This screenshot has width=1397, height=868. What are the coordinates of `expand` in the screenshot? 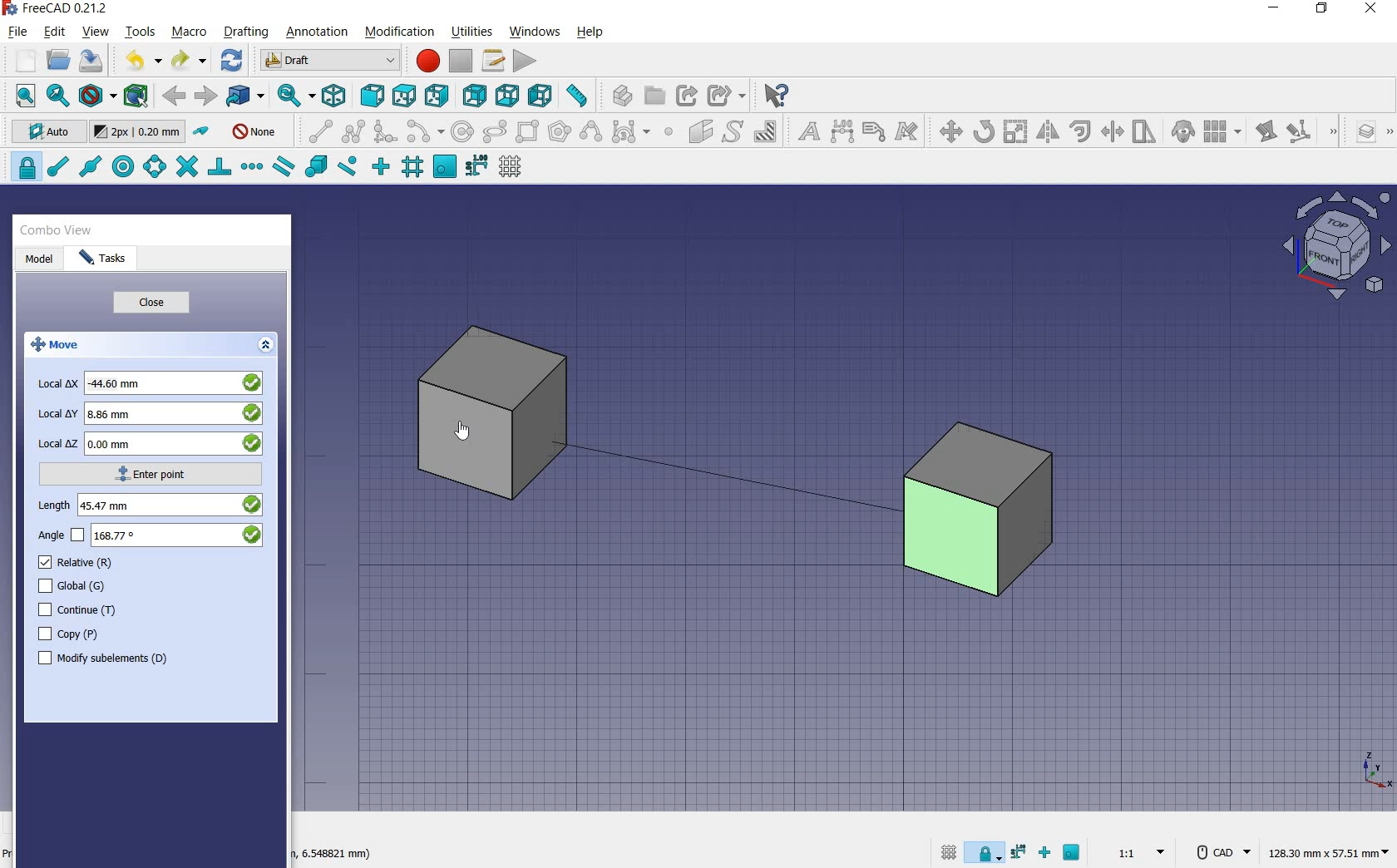 It's located at (268, 345).